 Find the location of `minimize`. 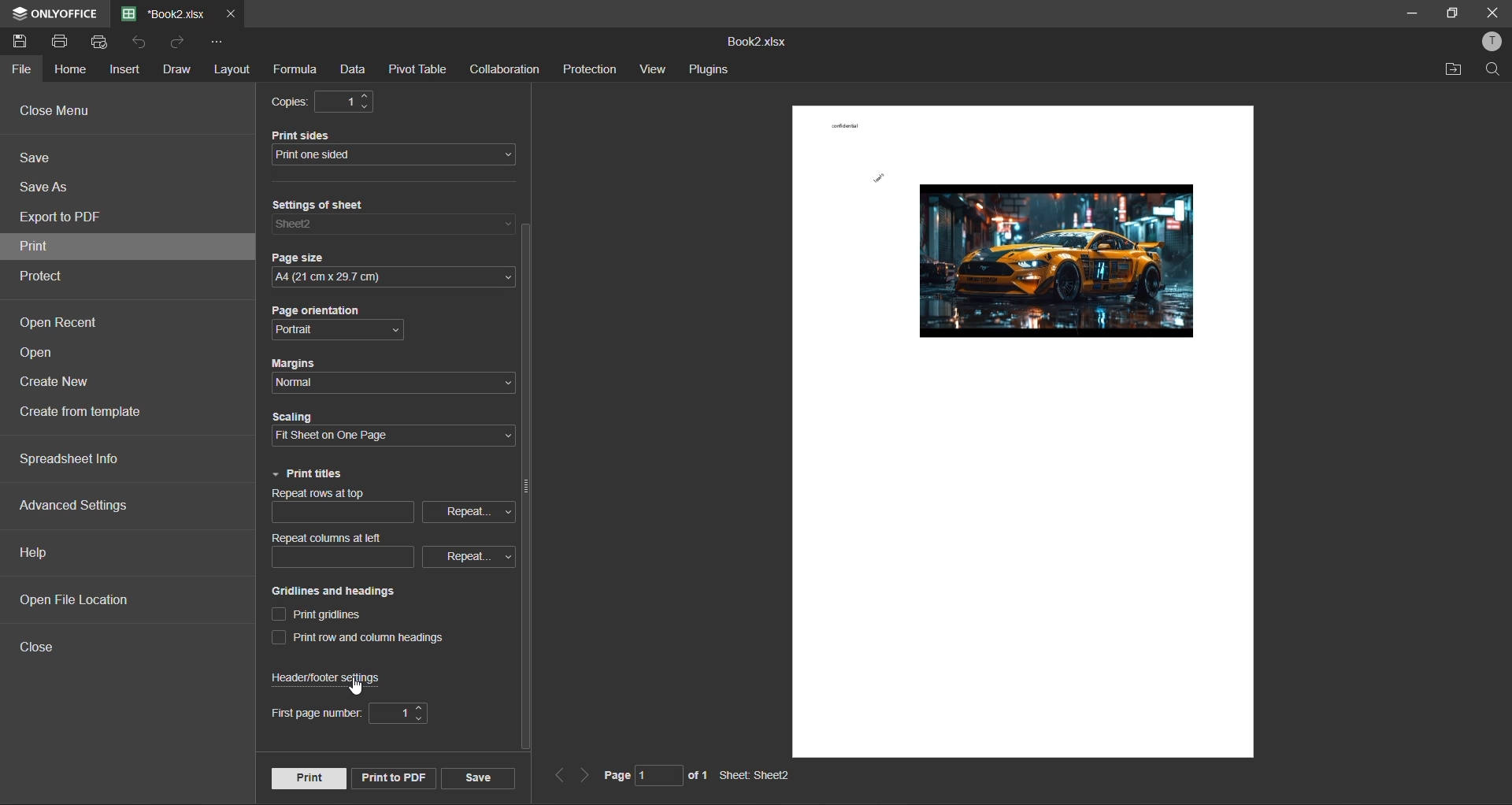

minimize is located at coordinates (1409, 13).